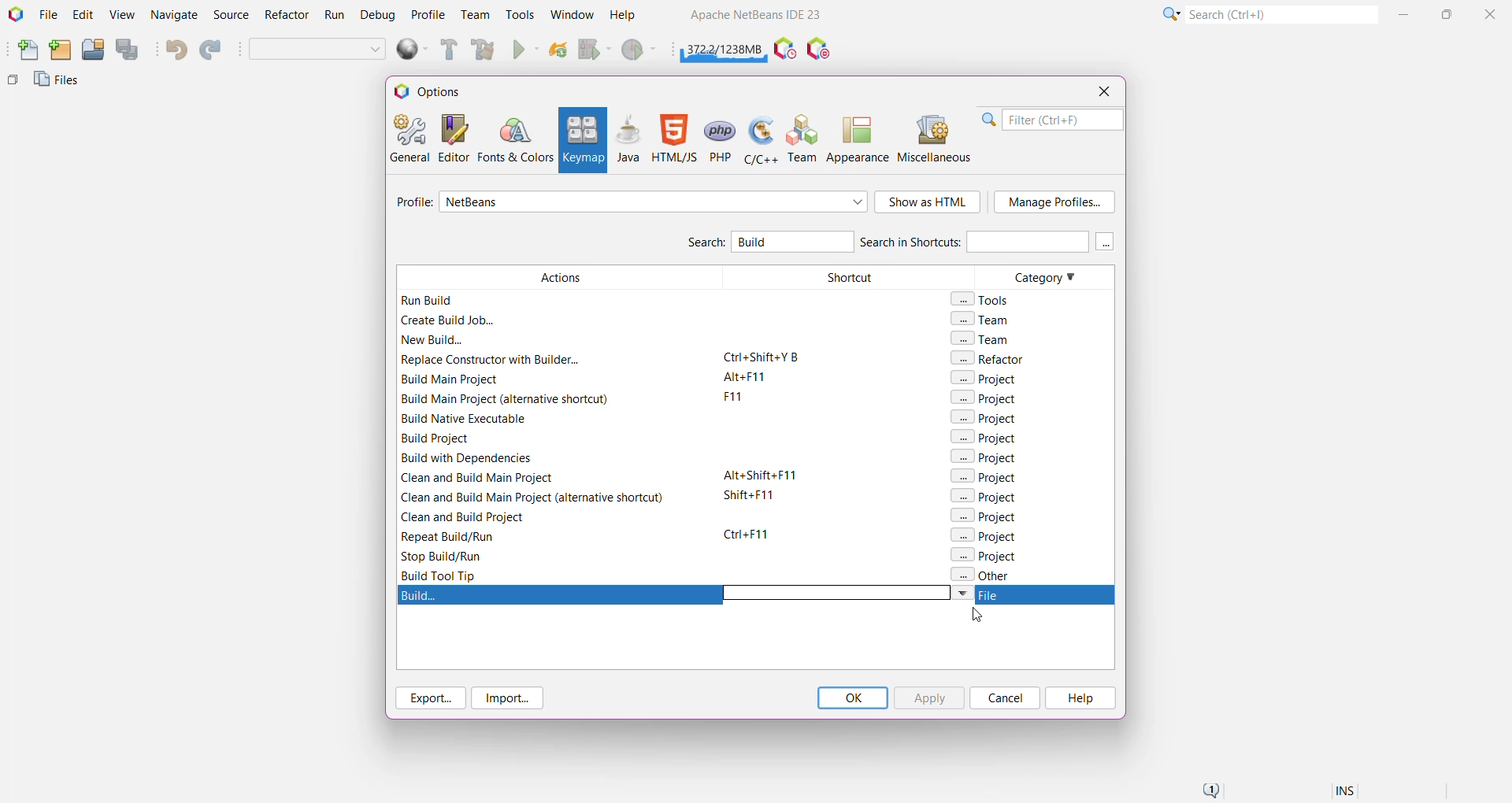 The image size is (1512, 803). Describe the element at coordinates (928, 203) in the screenshot. I see `Show as HTML` at that location.